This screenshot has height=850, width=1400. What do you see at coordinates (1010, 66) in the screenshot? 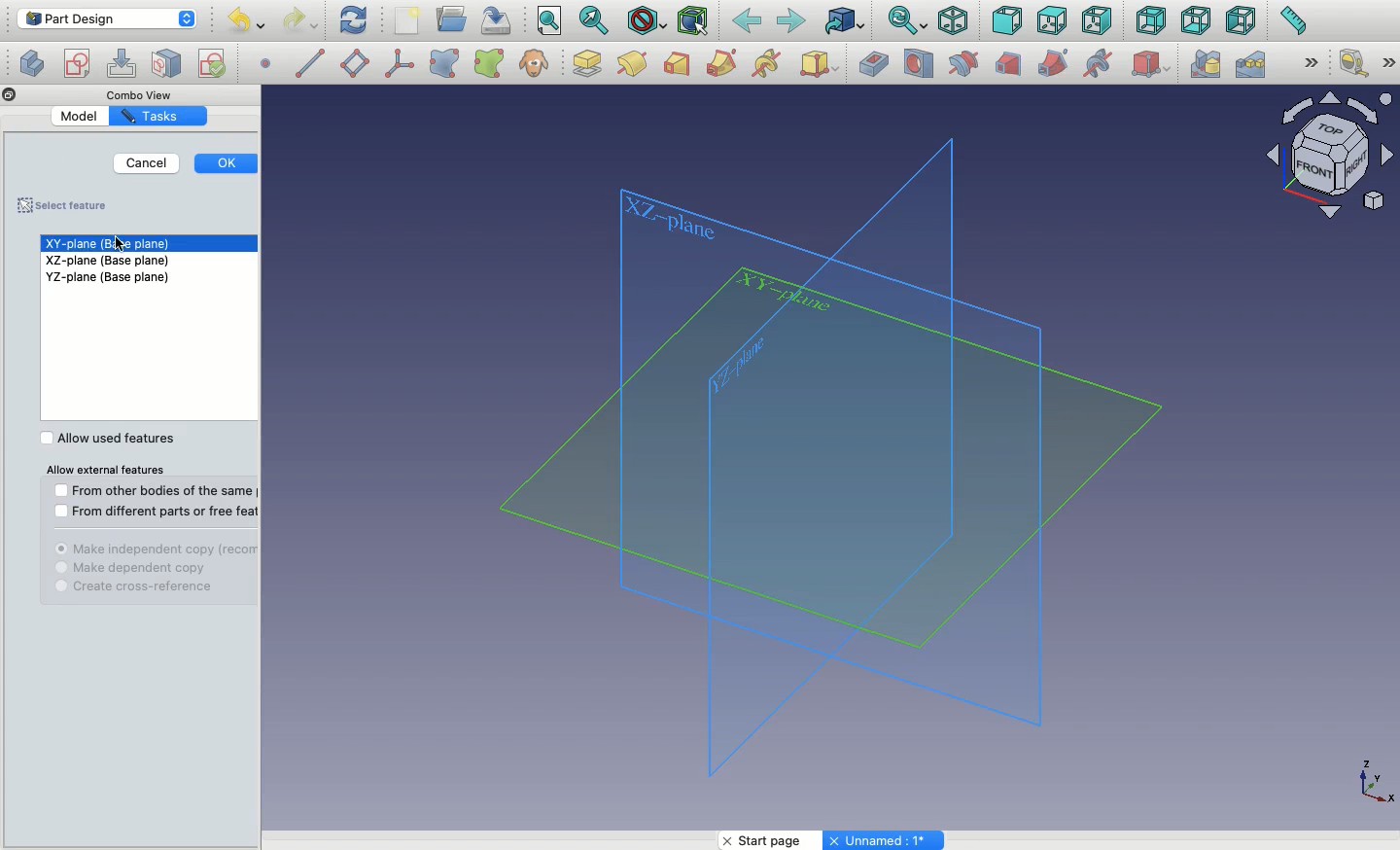
I see `Subtractive loft` at bounding box center [1010, 66].